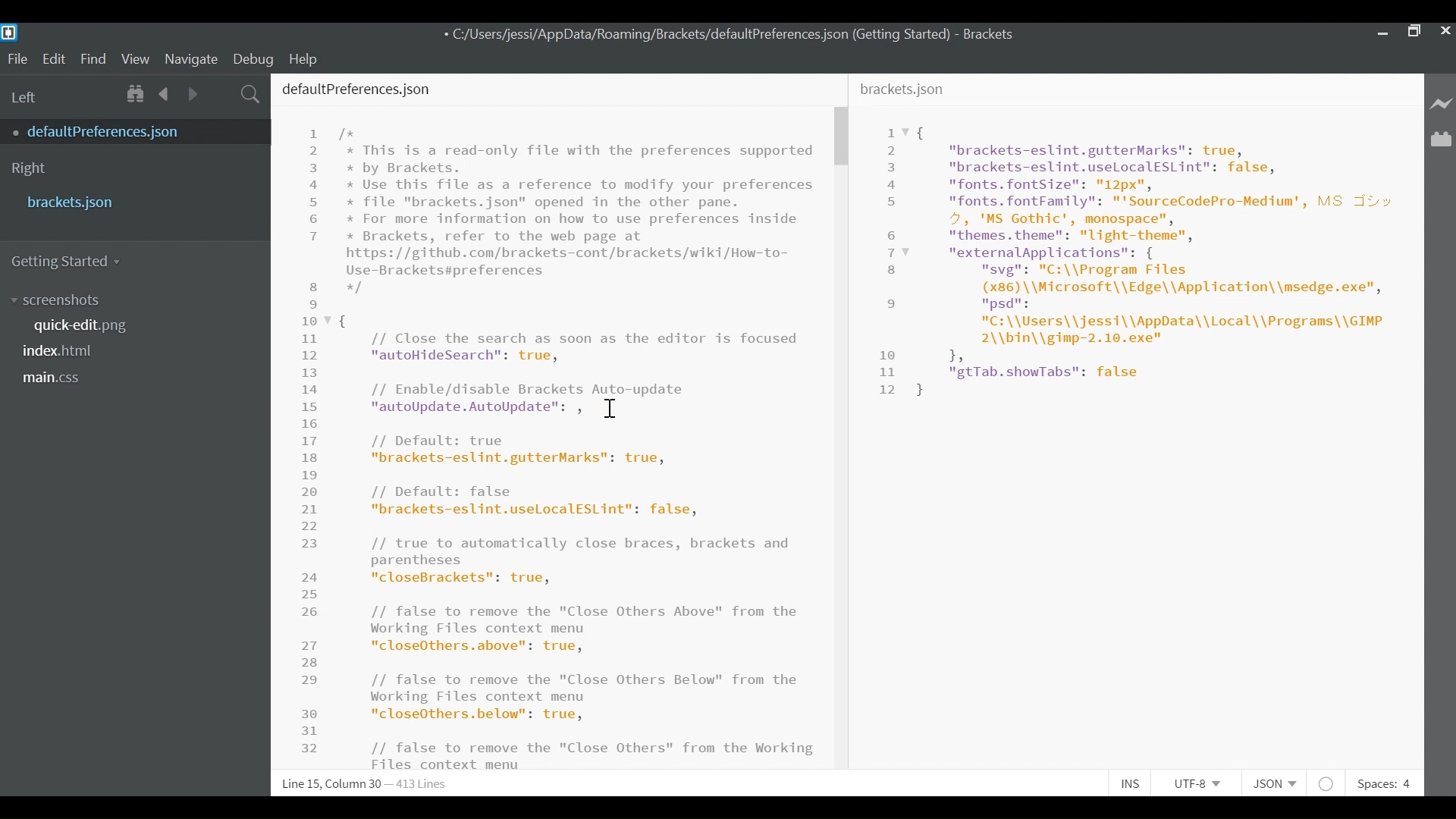 The width and height of the screenshot is (1456, 819). What do you see at coordinates (1387, 783) in the screenshot?
I see `Spaces` at bounding box center [1387, 783].